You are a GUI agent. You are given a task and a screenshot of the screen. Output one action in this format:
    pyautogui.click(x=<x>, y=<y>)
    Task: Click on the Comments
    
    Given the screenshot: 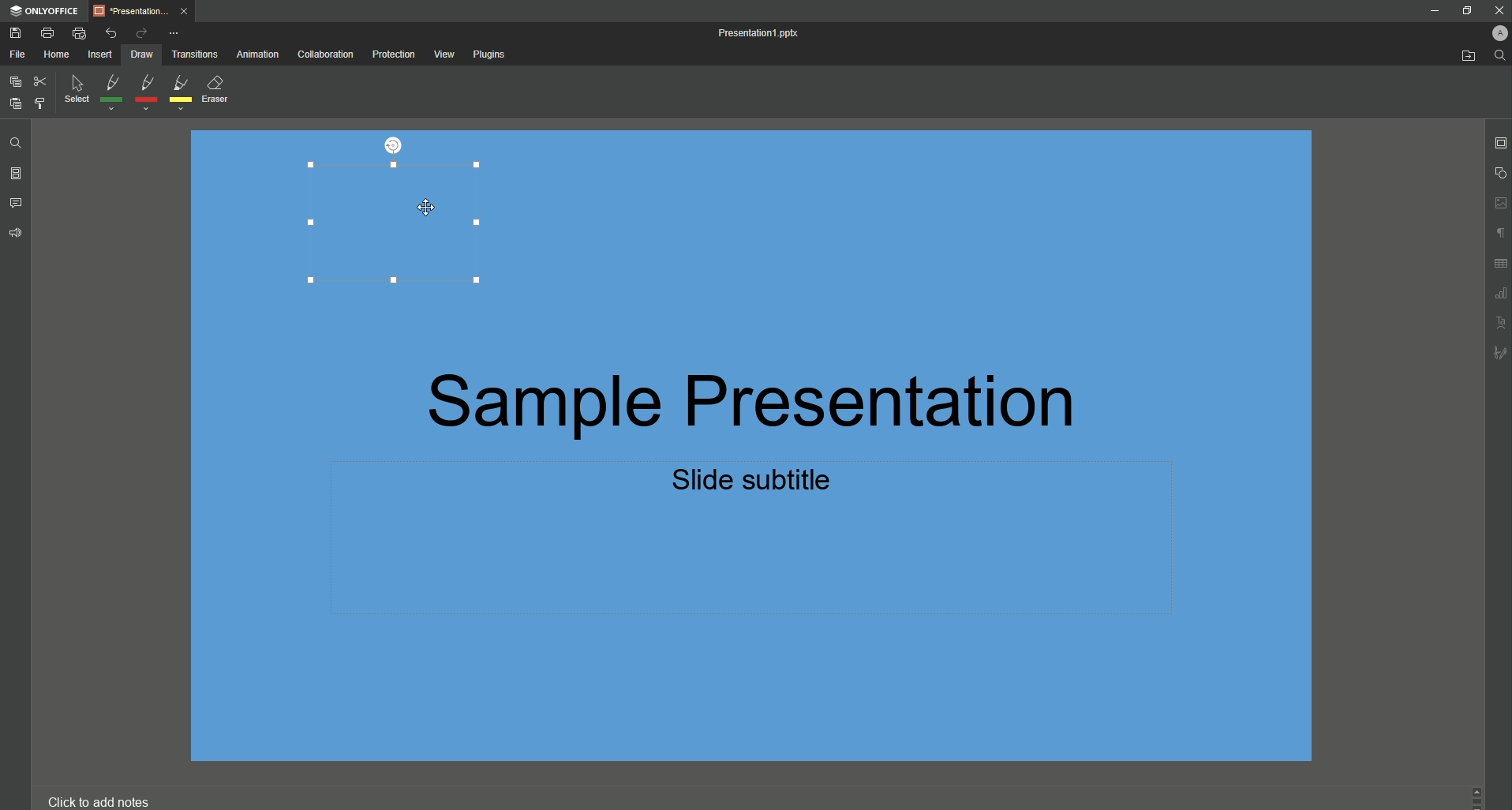 What is the action you would take?
    pyautogui.click(x=18, y=202)
    